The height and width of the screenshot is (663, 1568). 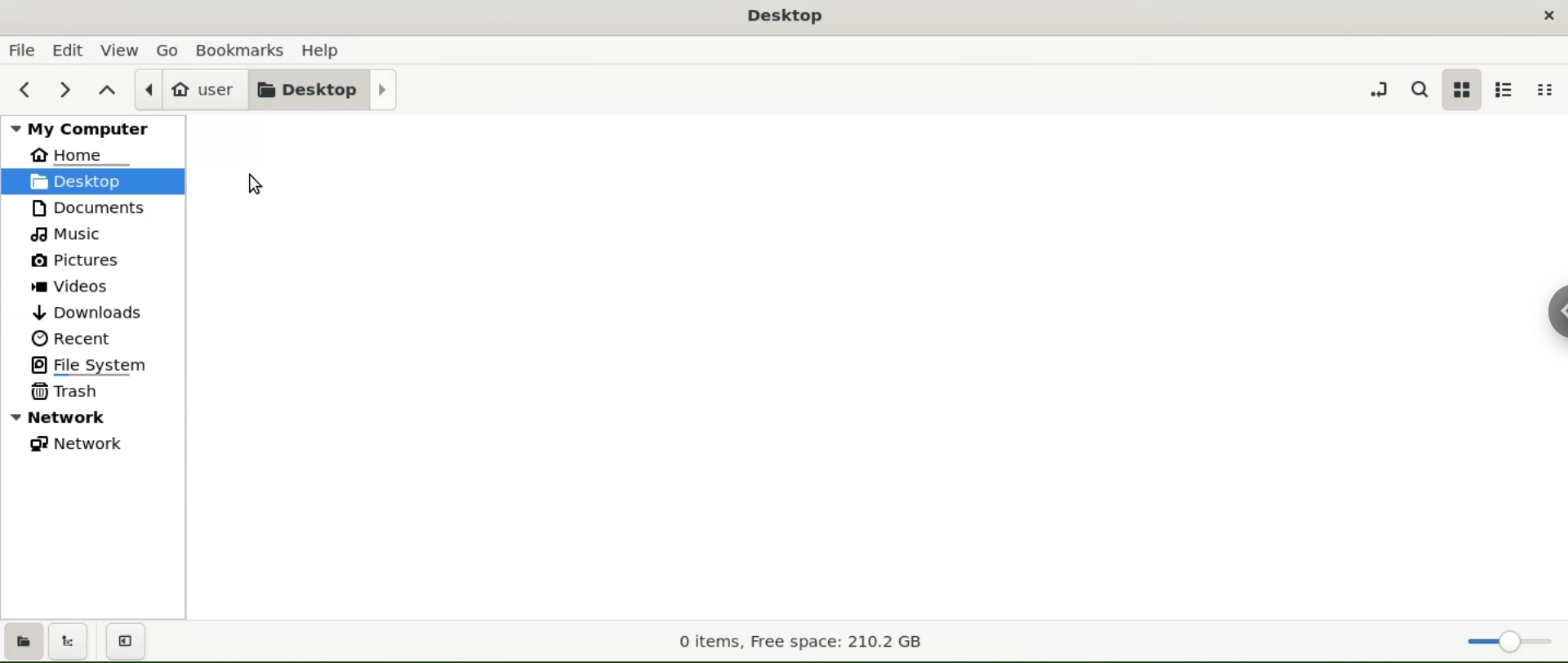 I want to click on network, so click(x=93, y=446).